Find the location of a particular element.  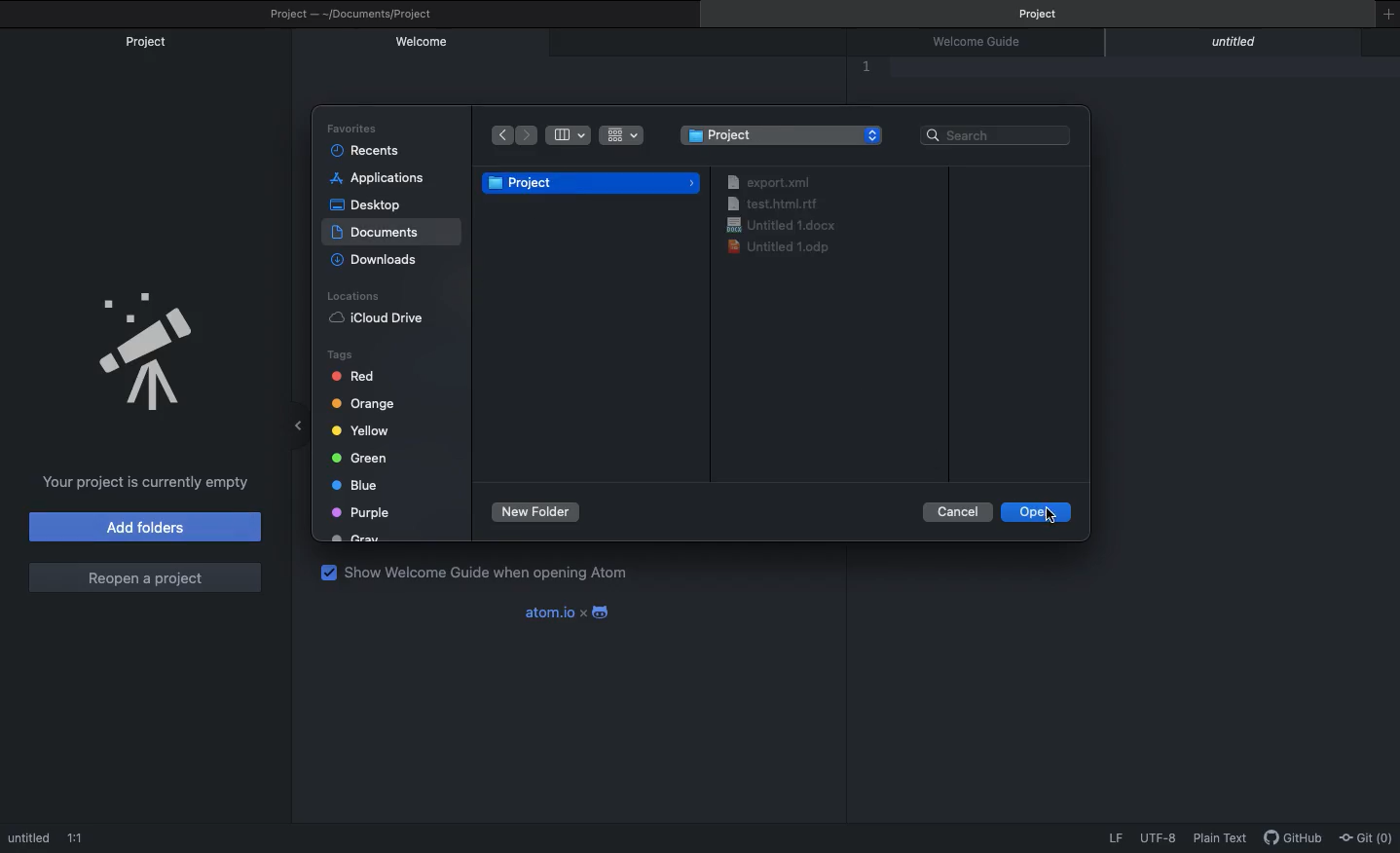

Project is currently empty  is located at coordinates (144, 484).